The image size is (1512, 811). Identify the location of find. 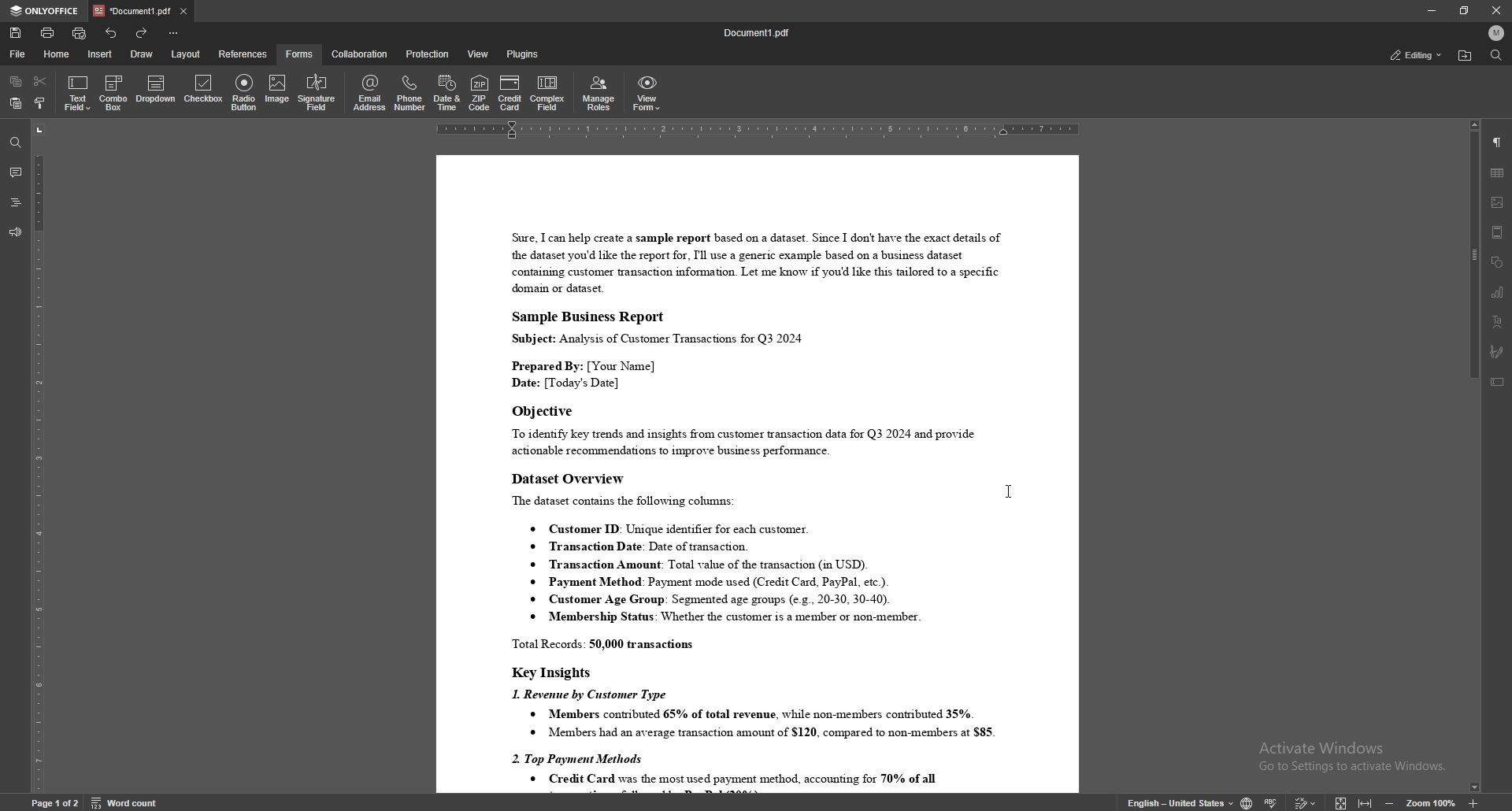
(1496, 55).